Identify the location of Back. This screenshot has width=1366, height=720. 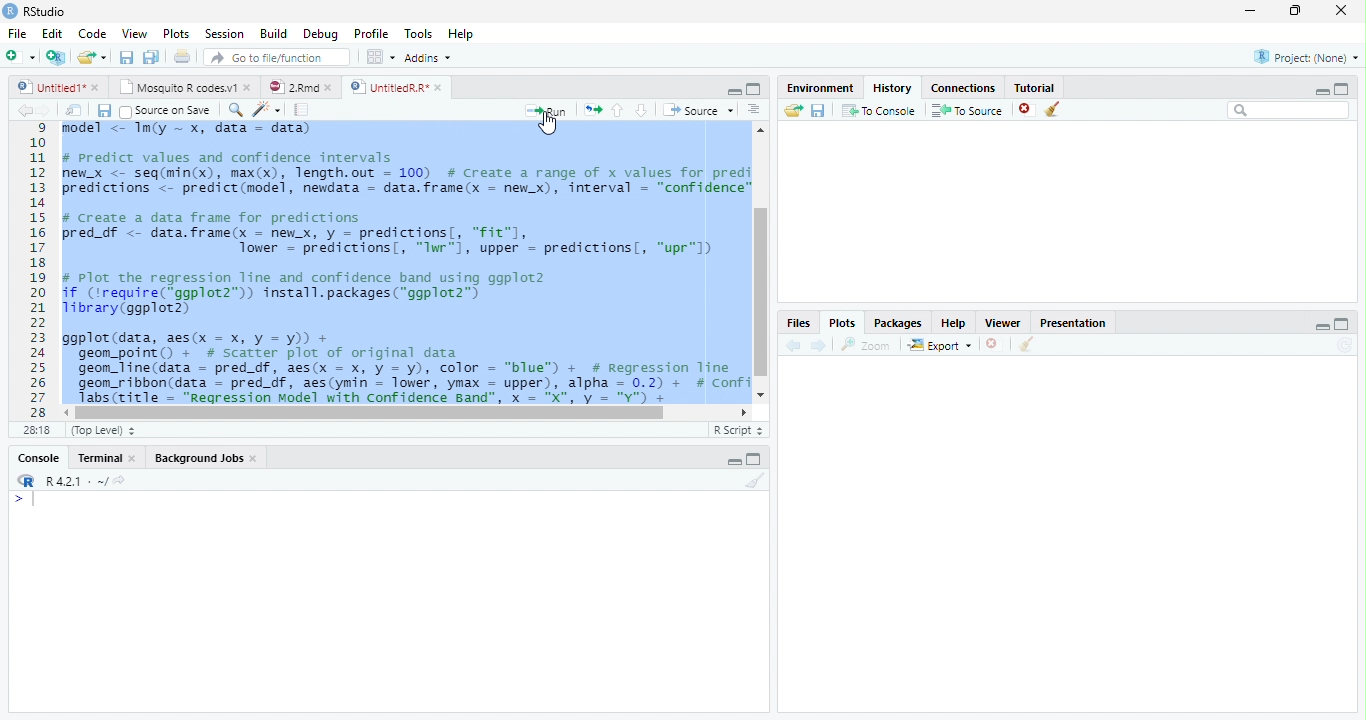
(789, 346).